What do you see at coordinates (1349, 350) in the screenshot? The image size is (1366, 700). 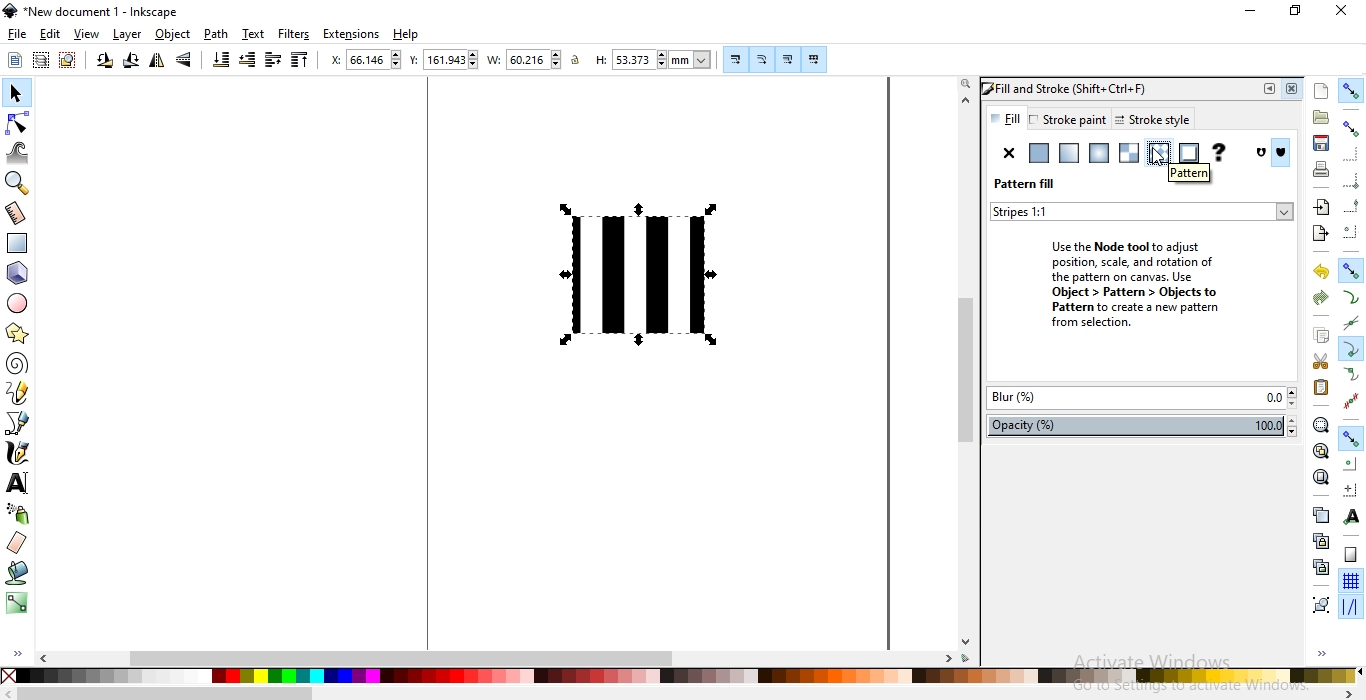 I see `nap to cusp nodes` at bounding box center [1349, 350].